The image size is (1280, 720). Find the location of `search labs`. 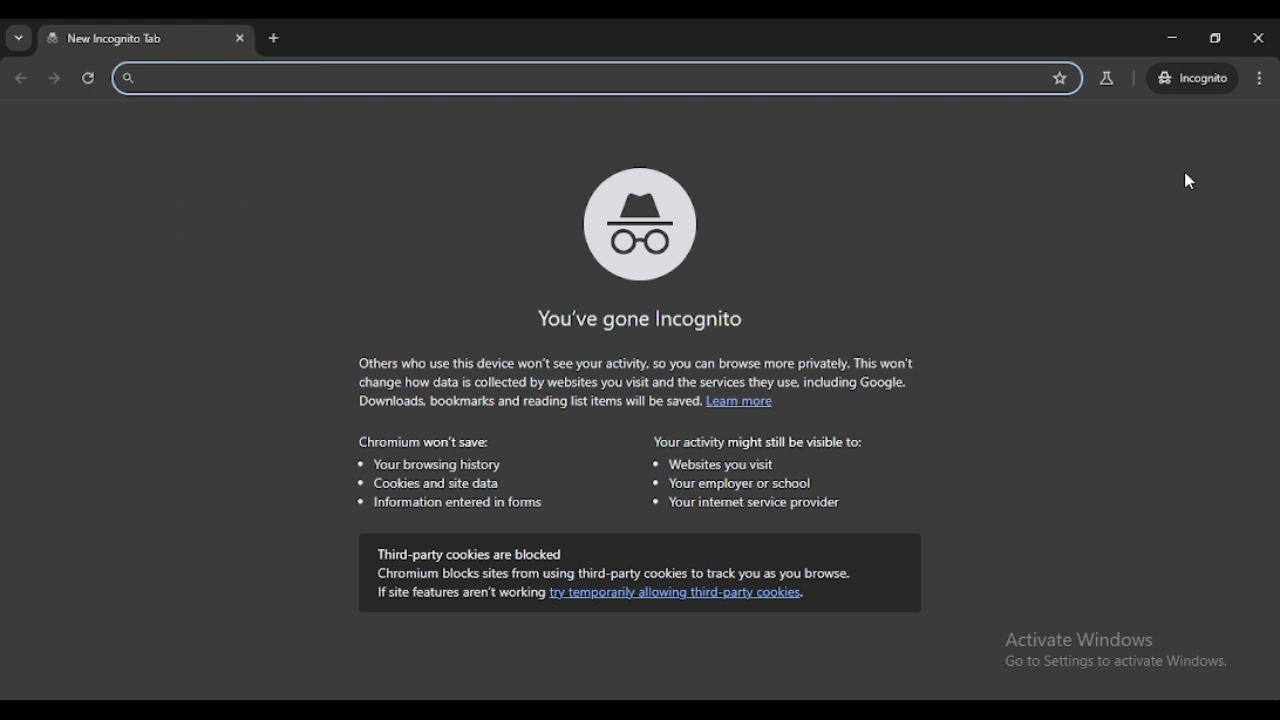

search labs is located at coordinates (1107, 78).